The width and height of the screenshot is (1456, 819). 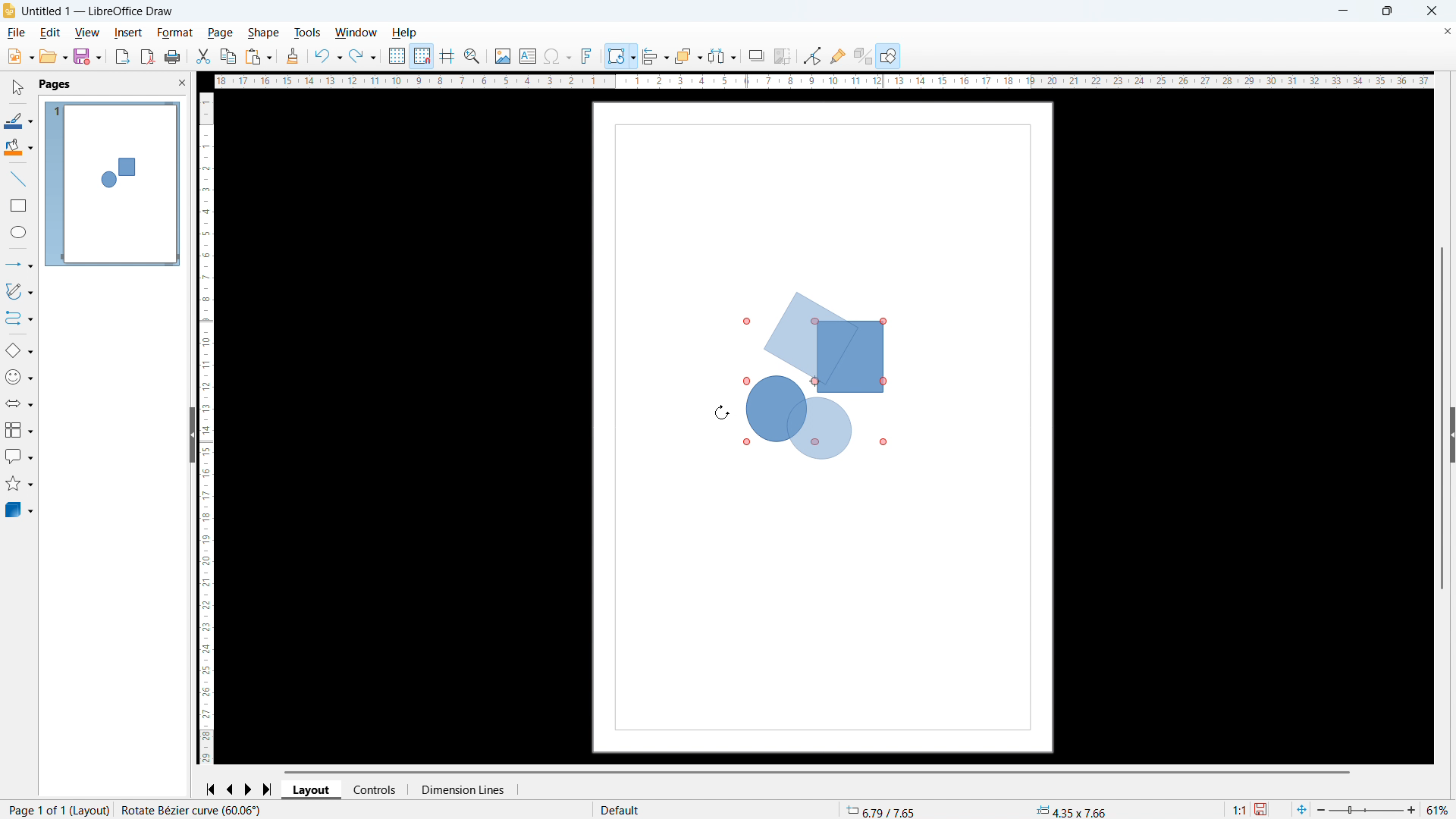 What do you see at coordinates (884, 810) in the screenshot?
I see `Cursor coordinates ` at bounding box center [884, 810].